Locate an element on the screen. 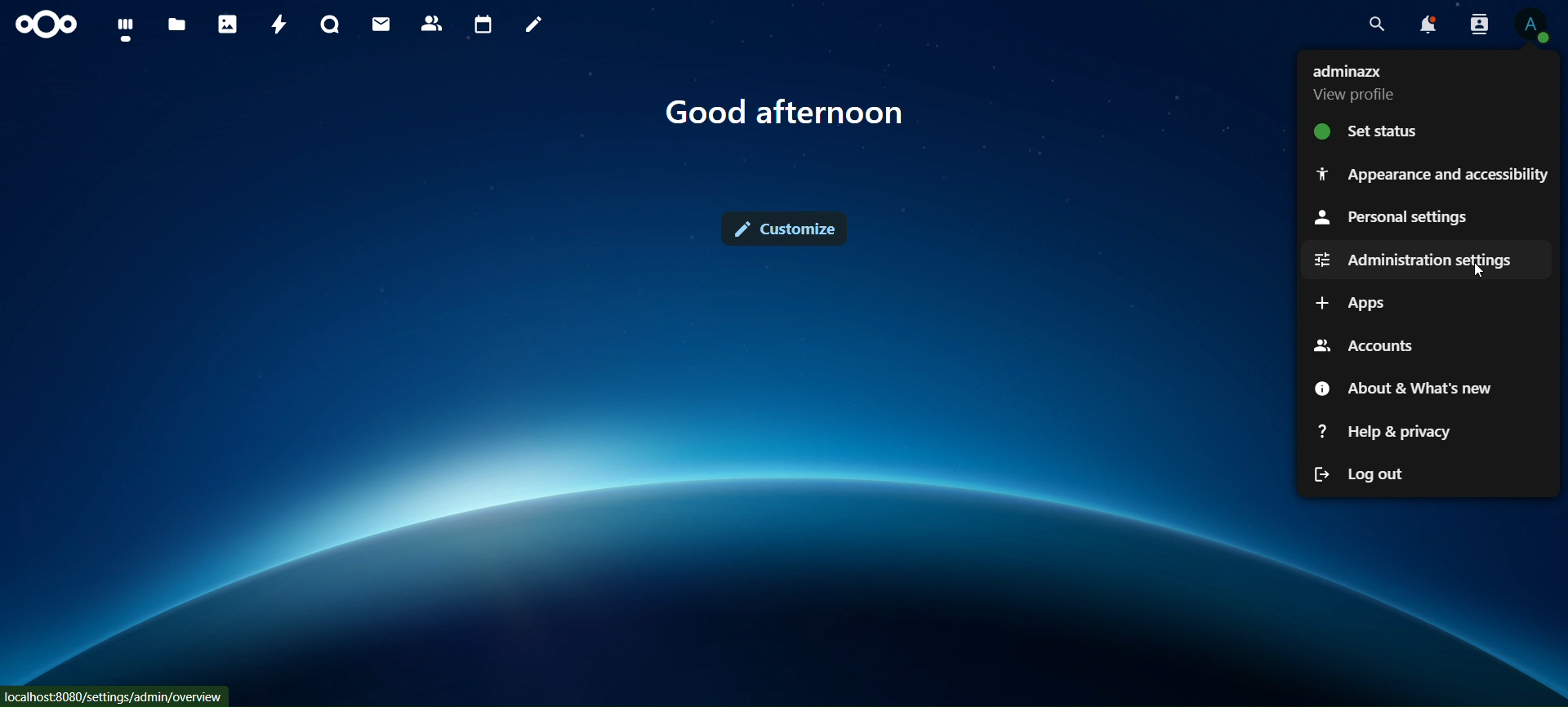  set status is located at coordinates (1367, 130).